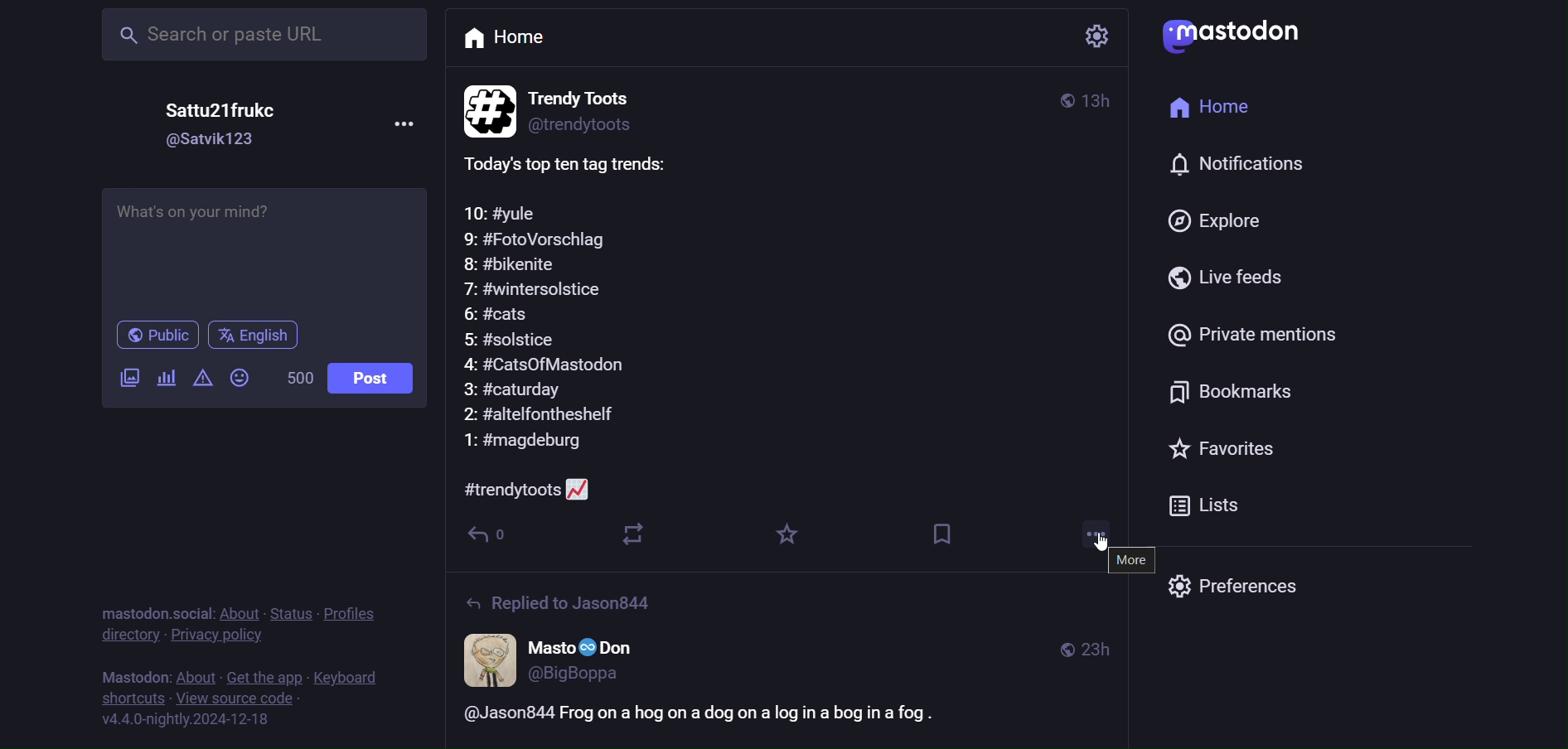  What do you see at coordinates (604, 108) in the screenshot?
I see `user information` at bounding box center [604, 108].